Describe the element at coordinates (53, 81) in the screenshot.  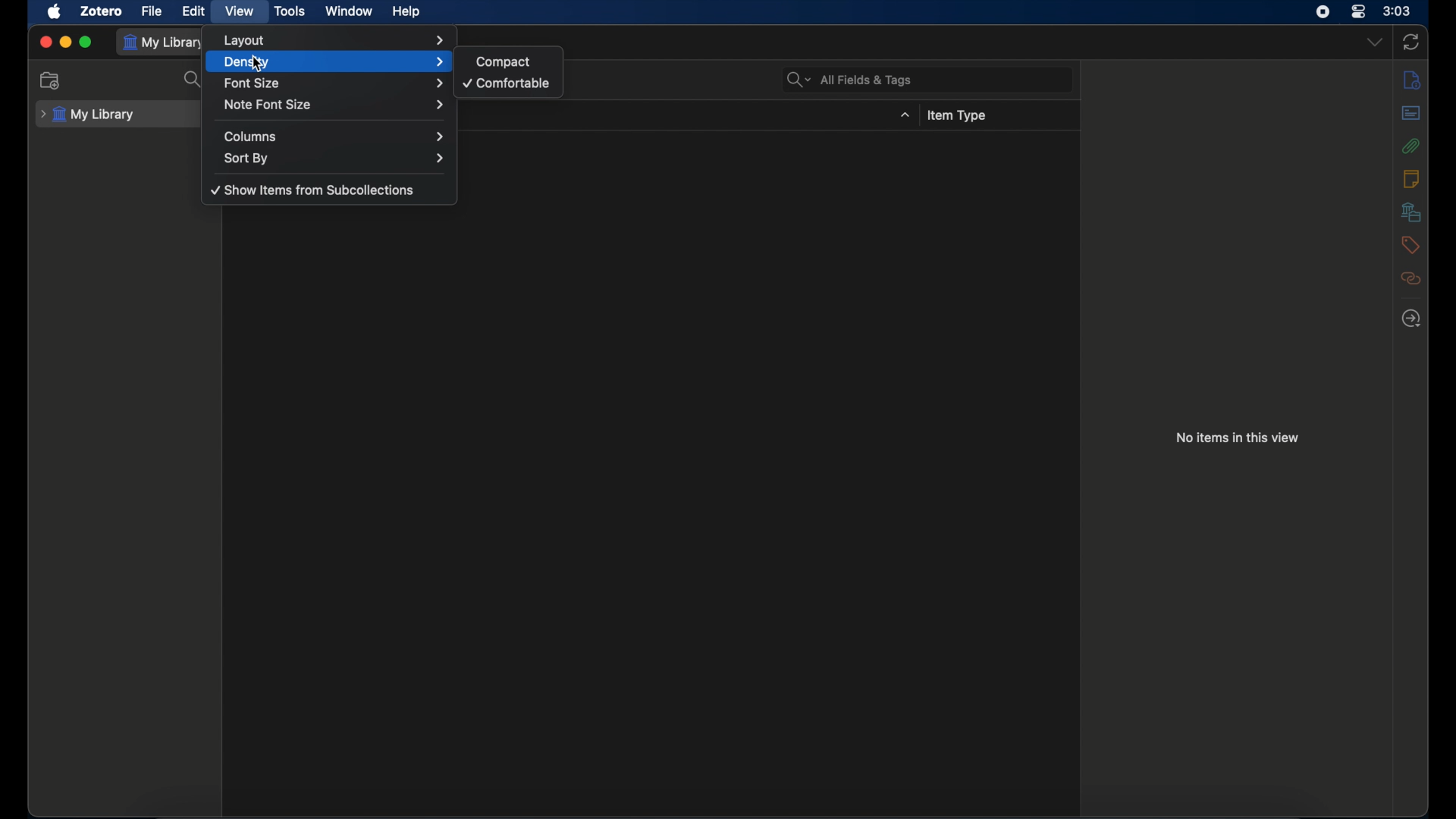
I see `new collection` at that location.